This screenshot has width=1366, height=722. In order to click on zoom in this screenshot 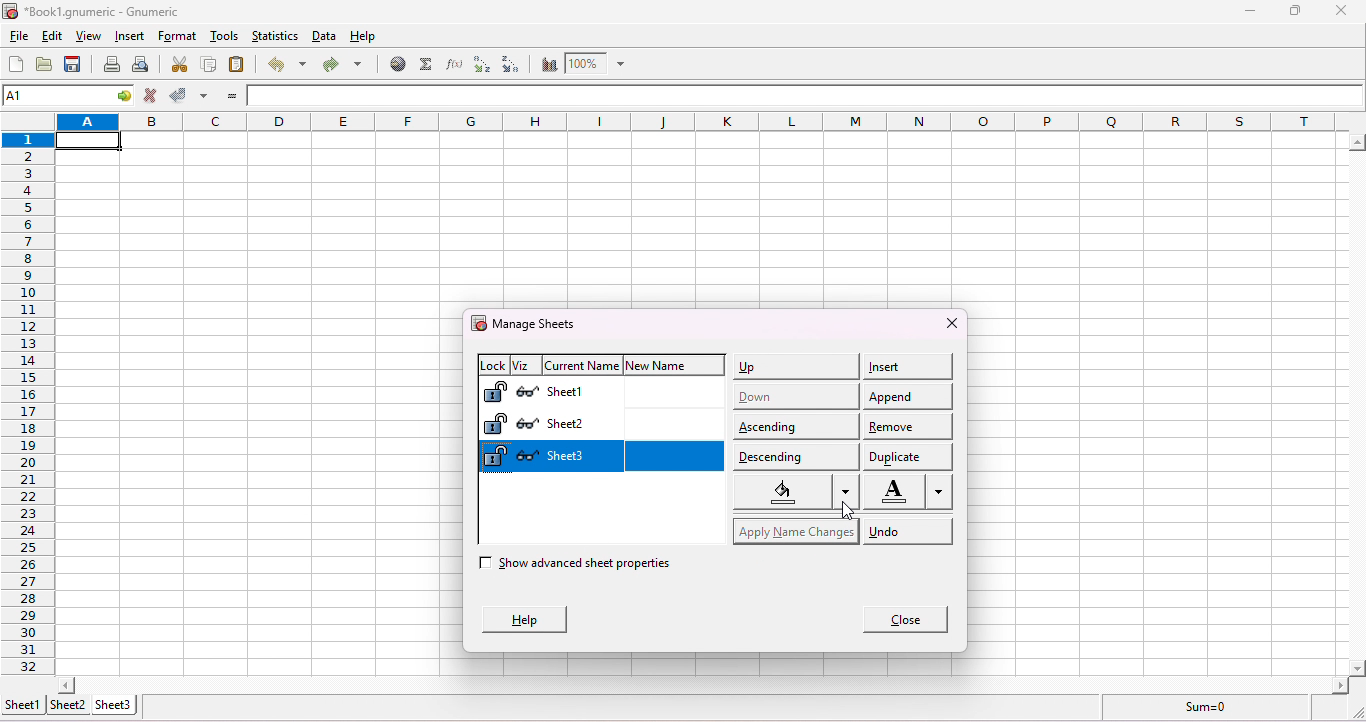, I will do `click(602, 64)`.